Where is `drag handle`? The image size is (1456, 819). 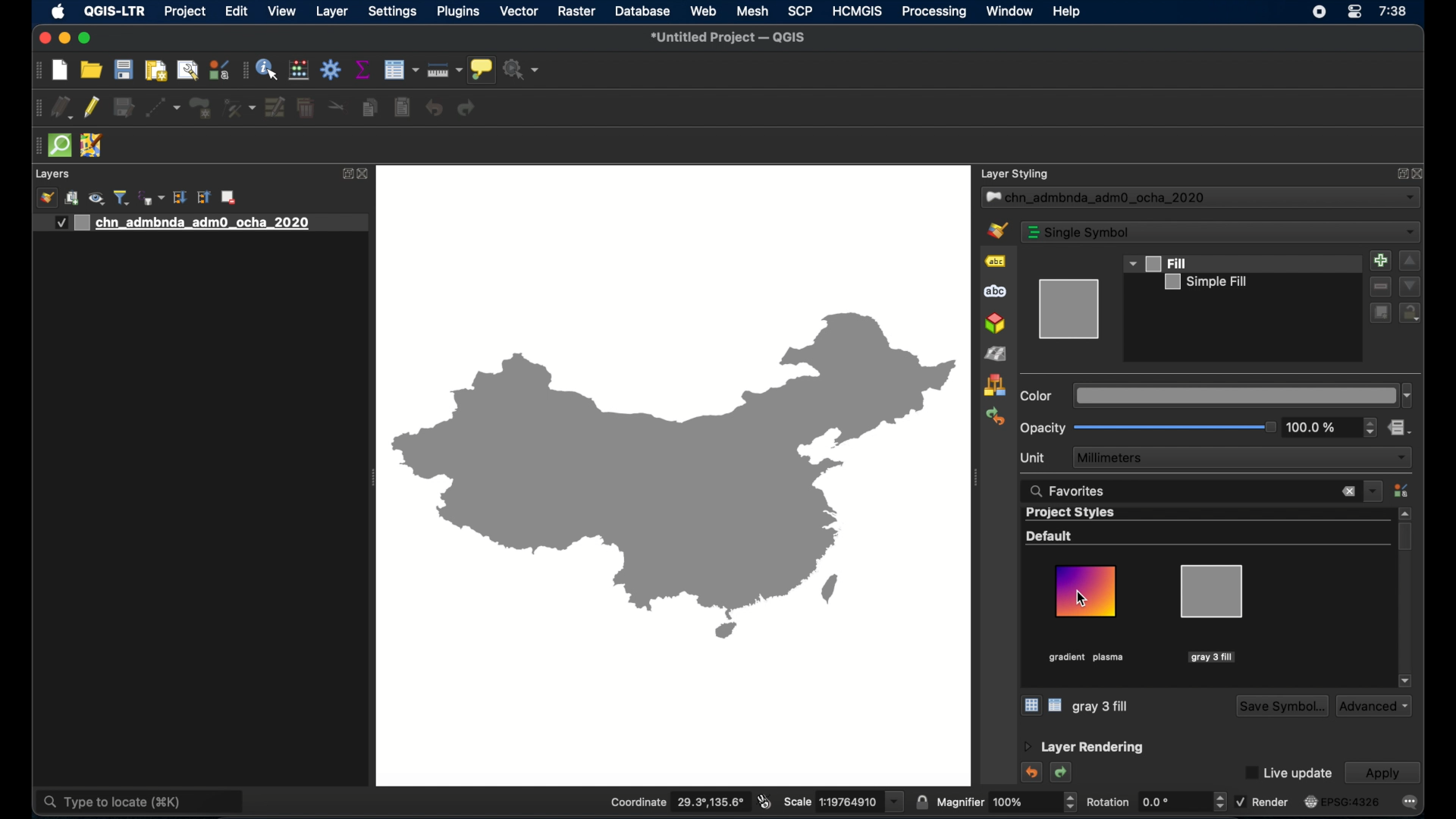
drag handle is located at coordinates (975, 478).